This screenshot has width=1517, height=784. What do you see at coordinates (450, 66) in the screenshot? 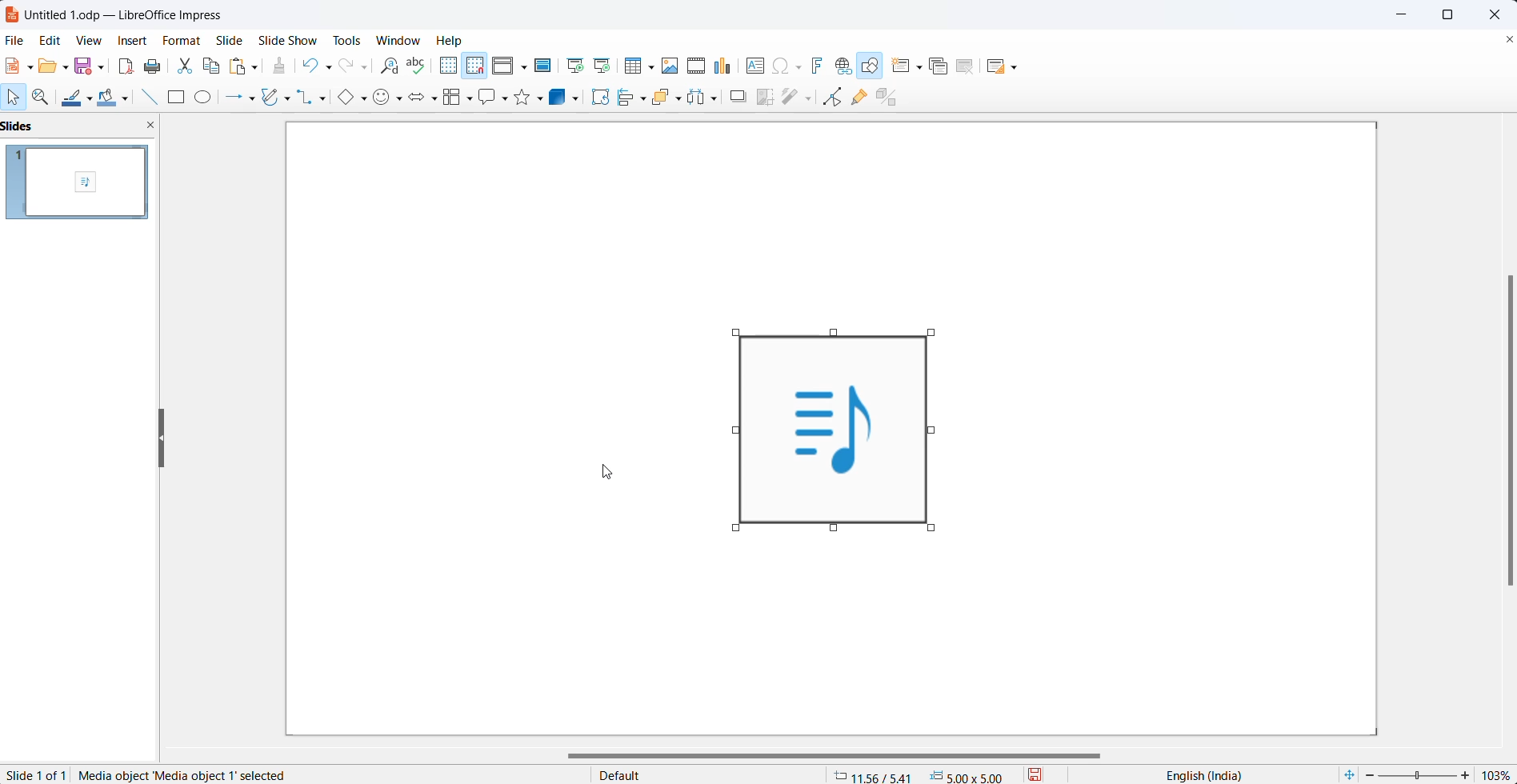
I see `display grid` at bounding box center [450, 66].